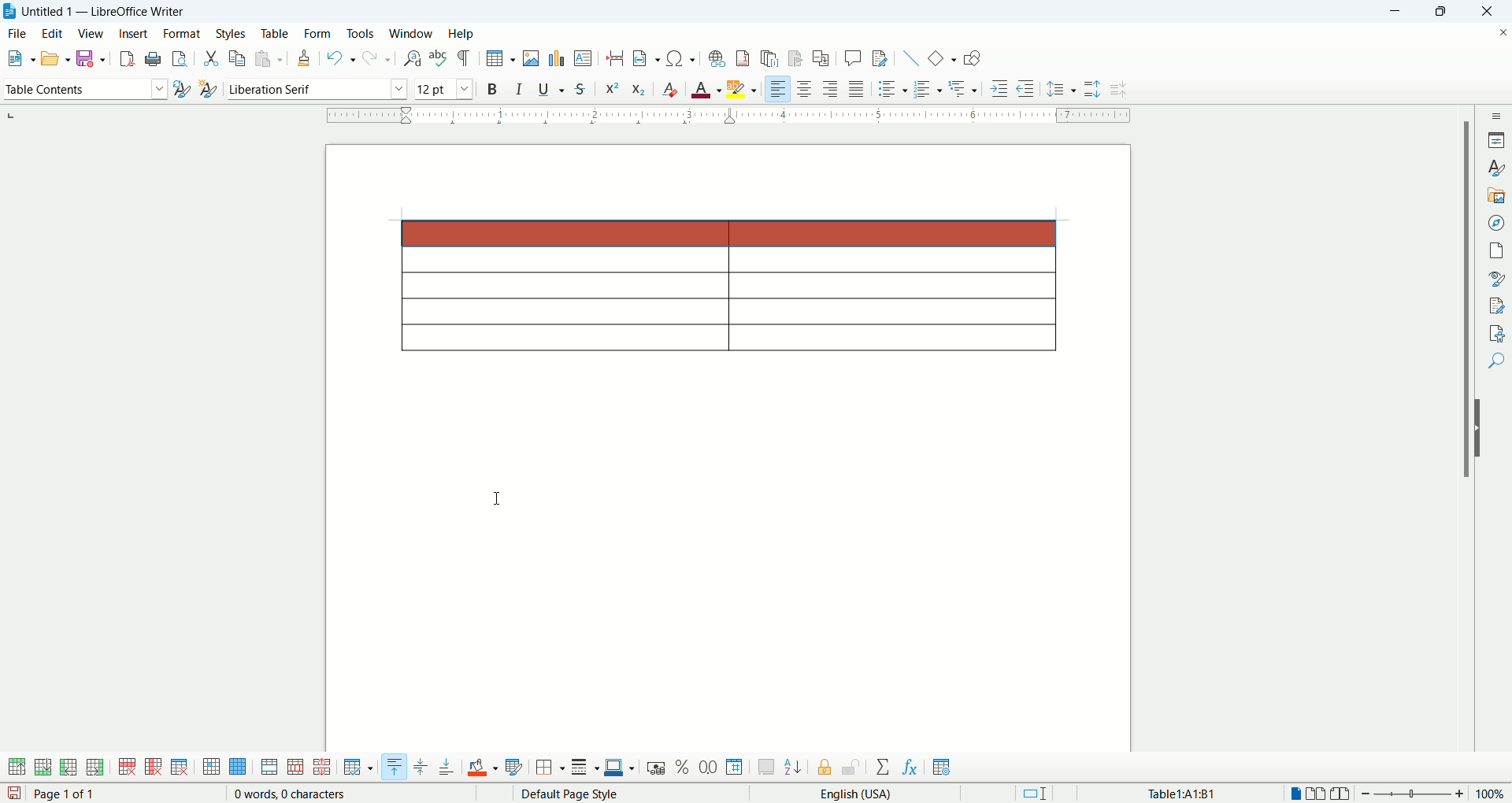  Describe the element at coordinates (1121, 90) in the screenshot. I see `decrease paragraph spacing` at that location.